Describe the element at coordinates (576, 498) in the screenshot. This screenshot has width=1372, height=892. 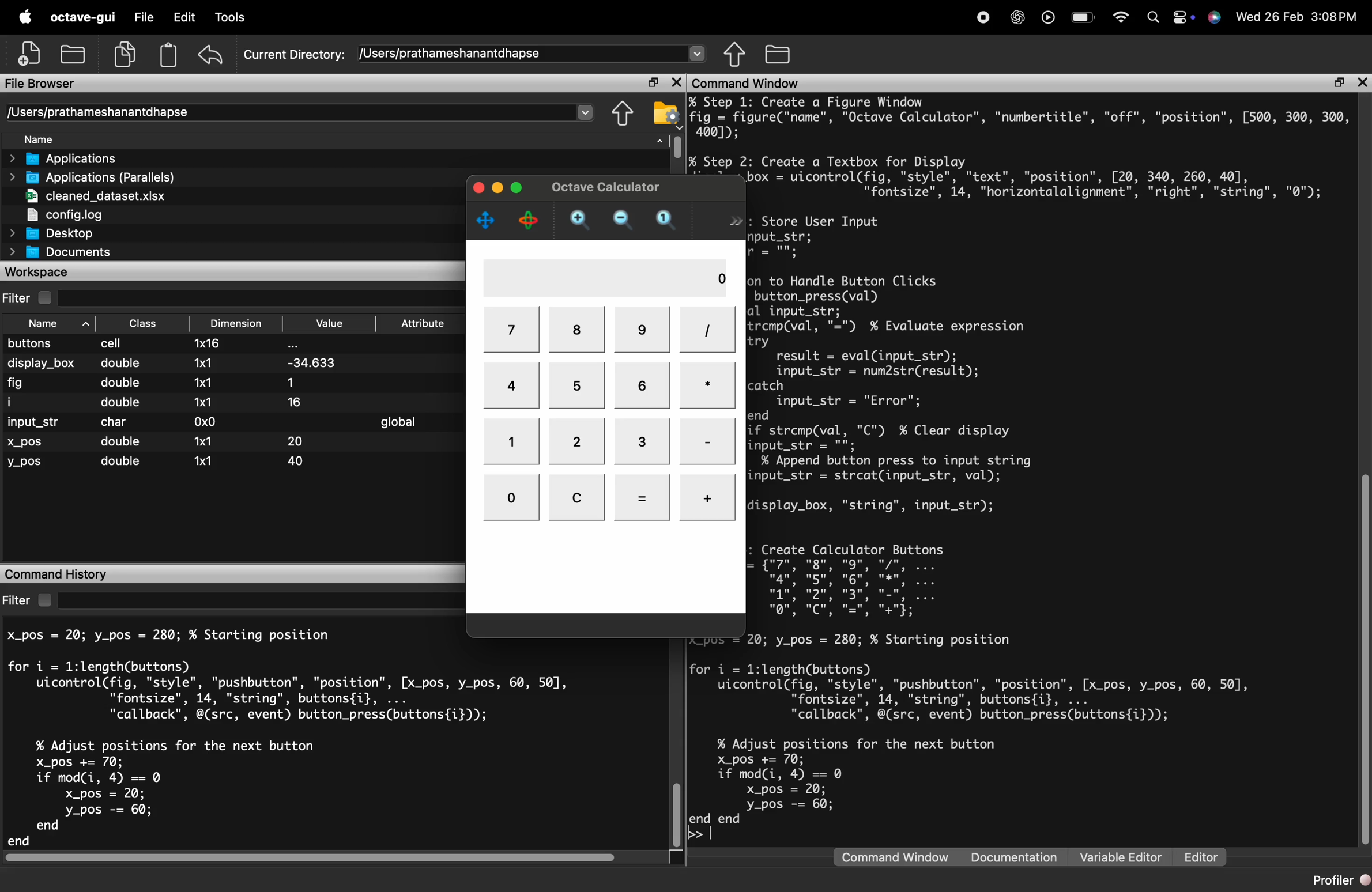
I see `C` at that location.